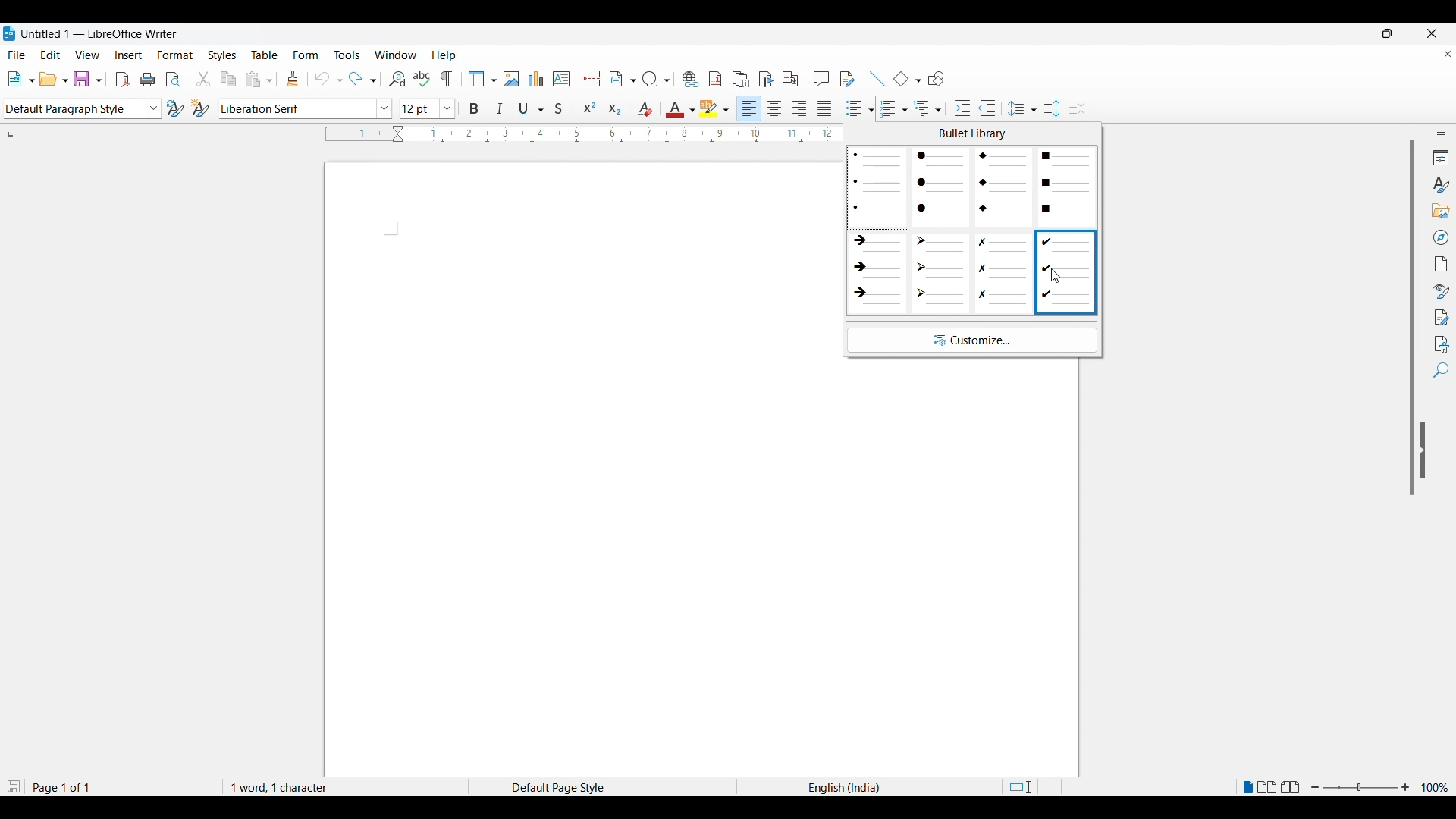 This screenshot has width=1456, height=819. What do you see at coordinates (1247, 785) in the screenshot?
I see `Single page view` at bounding box center [1247, 785].